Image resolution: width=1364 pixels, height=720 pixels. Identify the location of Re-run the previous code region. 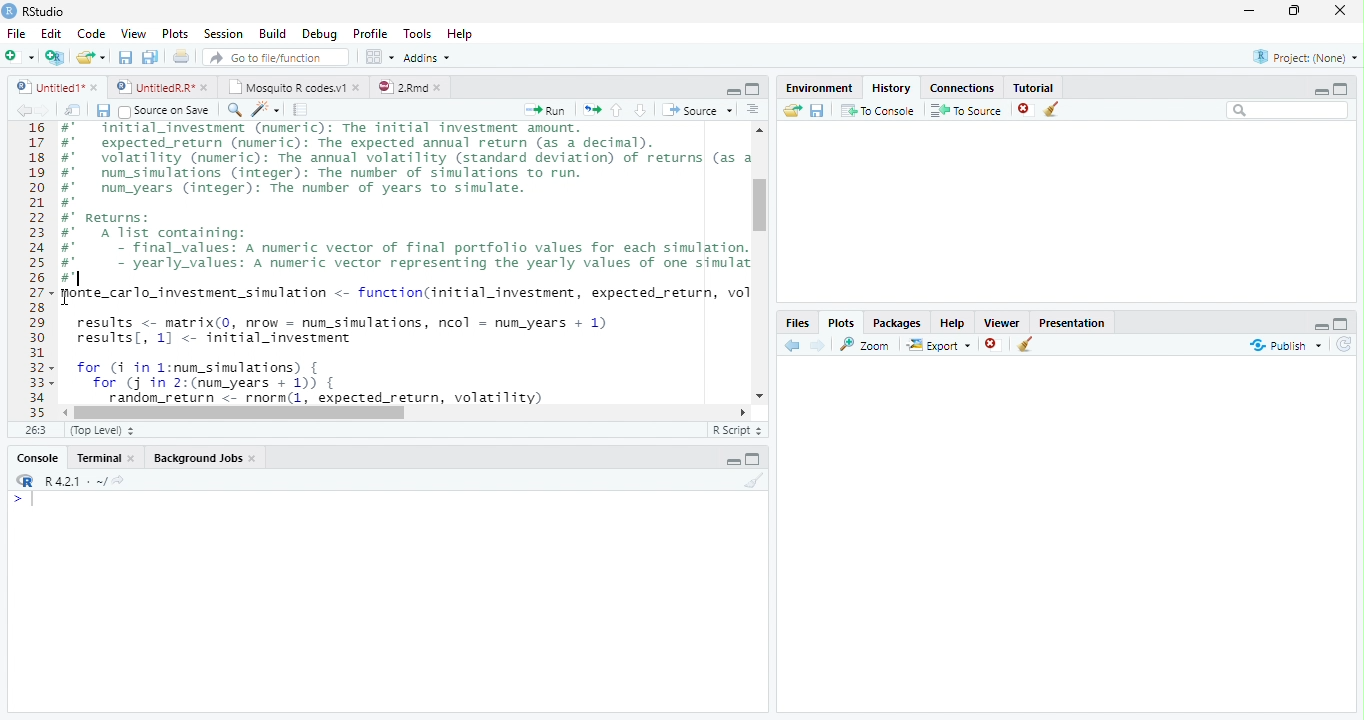
(590, 110).